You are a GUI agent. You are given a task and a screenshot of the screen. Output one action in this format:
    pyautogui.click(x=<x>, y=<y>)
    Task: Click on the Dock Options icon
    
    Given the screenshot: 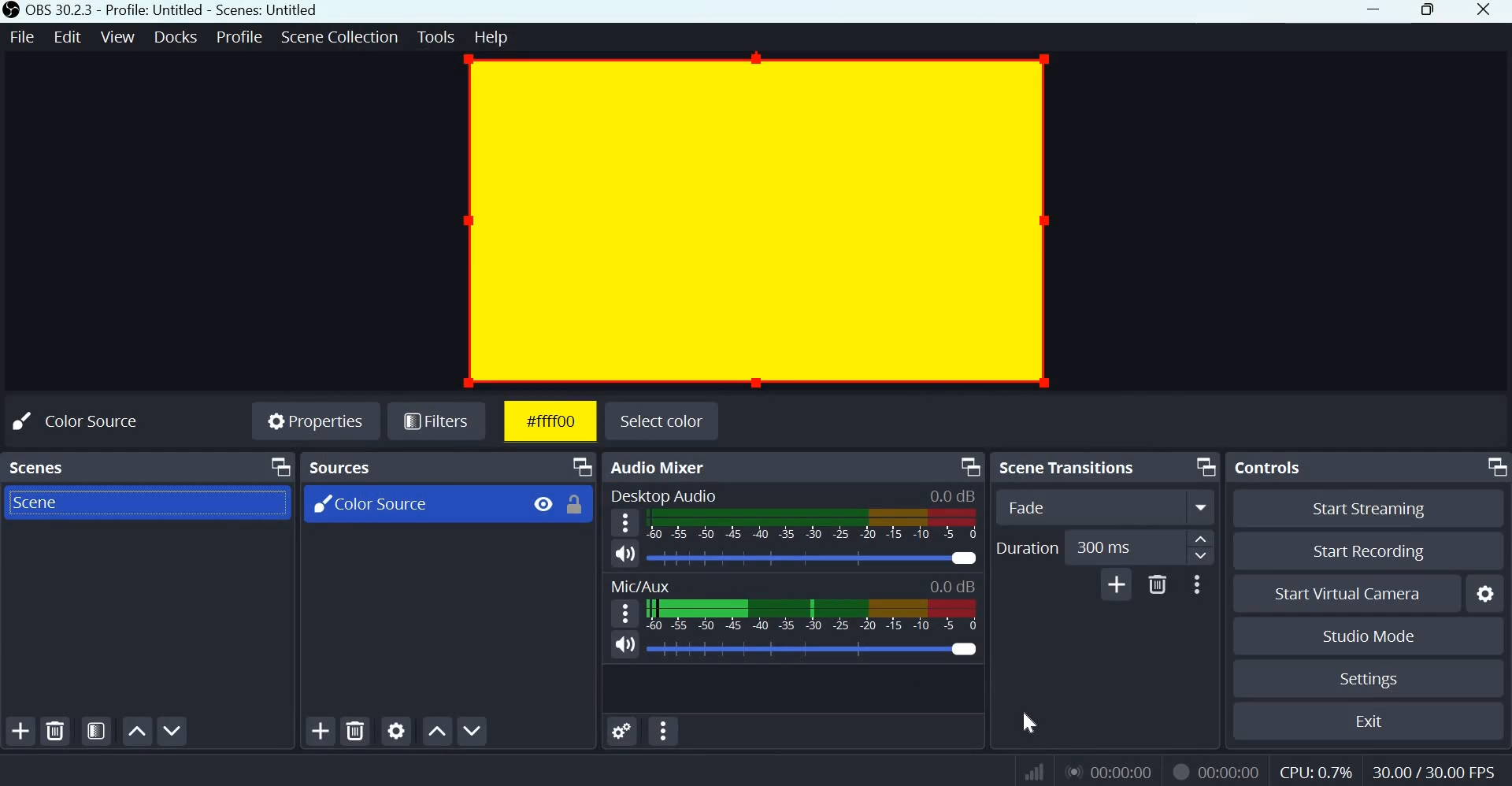 What is the action you would take?
    pyautogui.click(x=276, y=468)
    